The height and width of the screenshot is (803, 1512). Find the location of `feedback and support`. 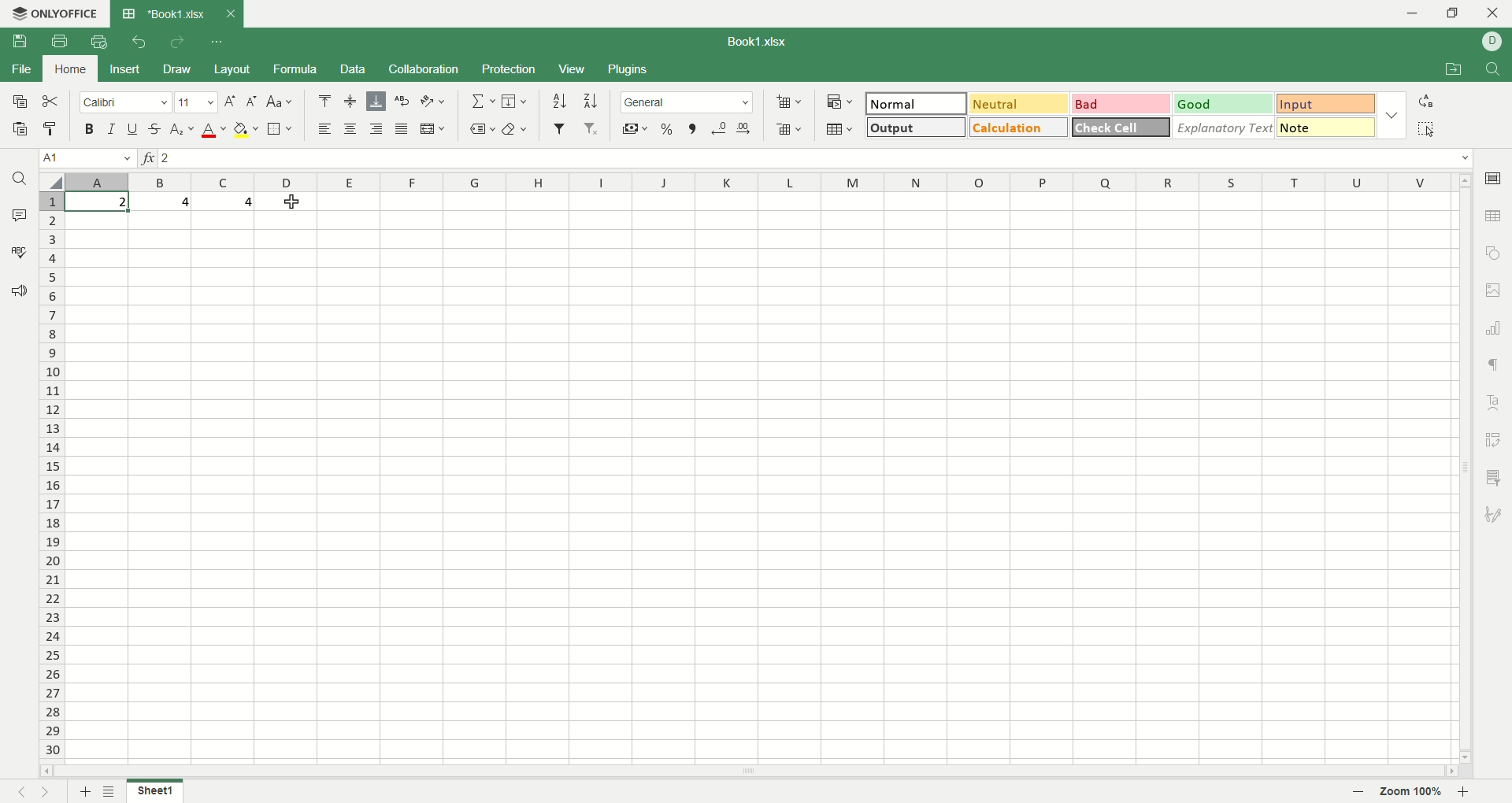

feedback and support is located at coordinates (20, 290).